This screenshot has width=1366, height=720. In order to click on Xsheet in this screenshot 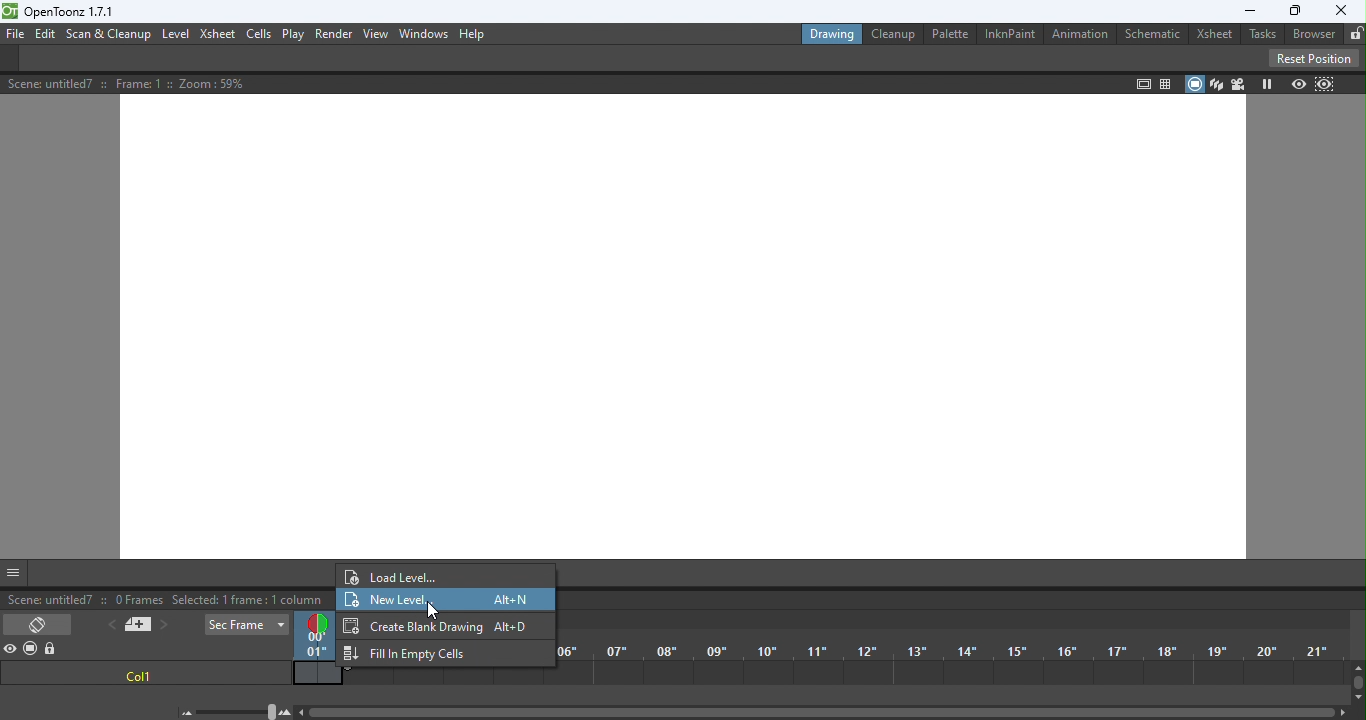, I will do `click(218, 36)`.